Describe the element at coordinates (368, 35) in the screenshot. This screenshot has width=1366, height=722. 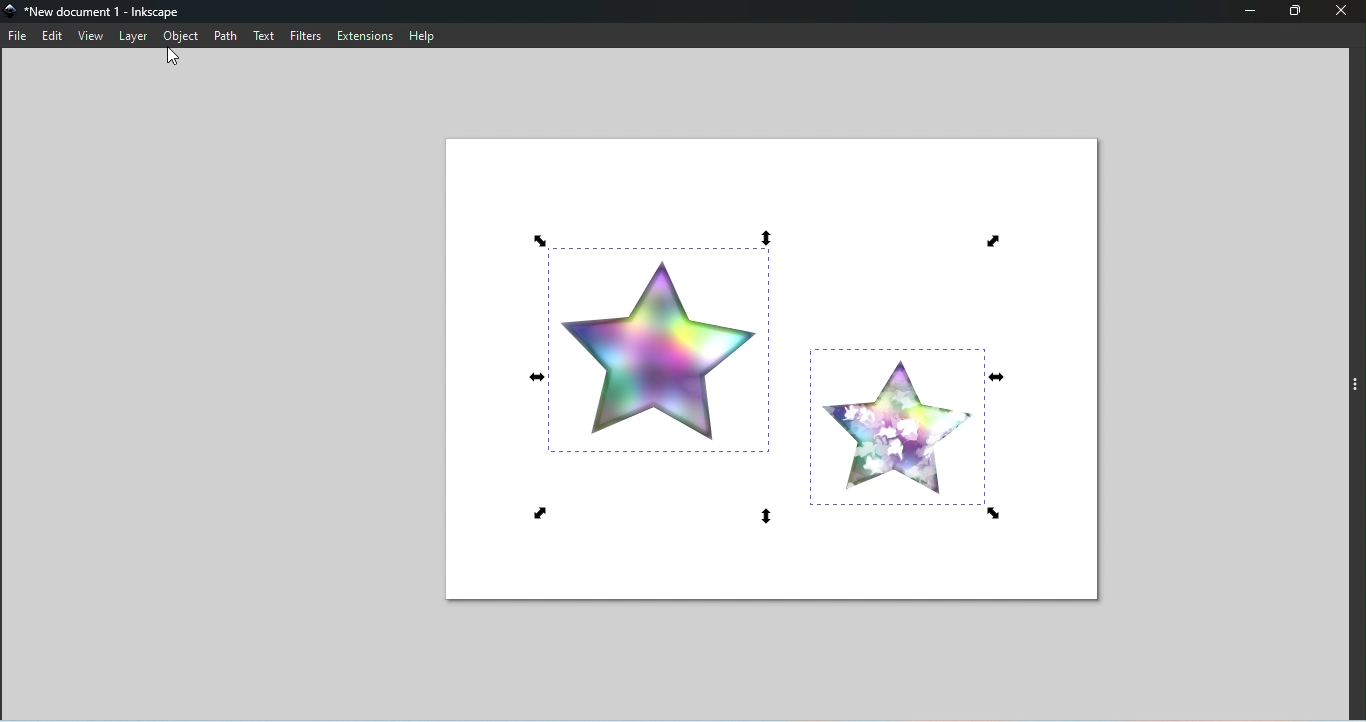
I see `Extensions` at that location.